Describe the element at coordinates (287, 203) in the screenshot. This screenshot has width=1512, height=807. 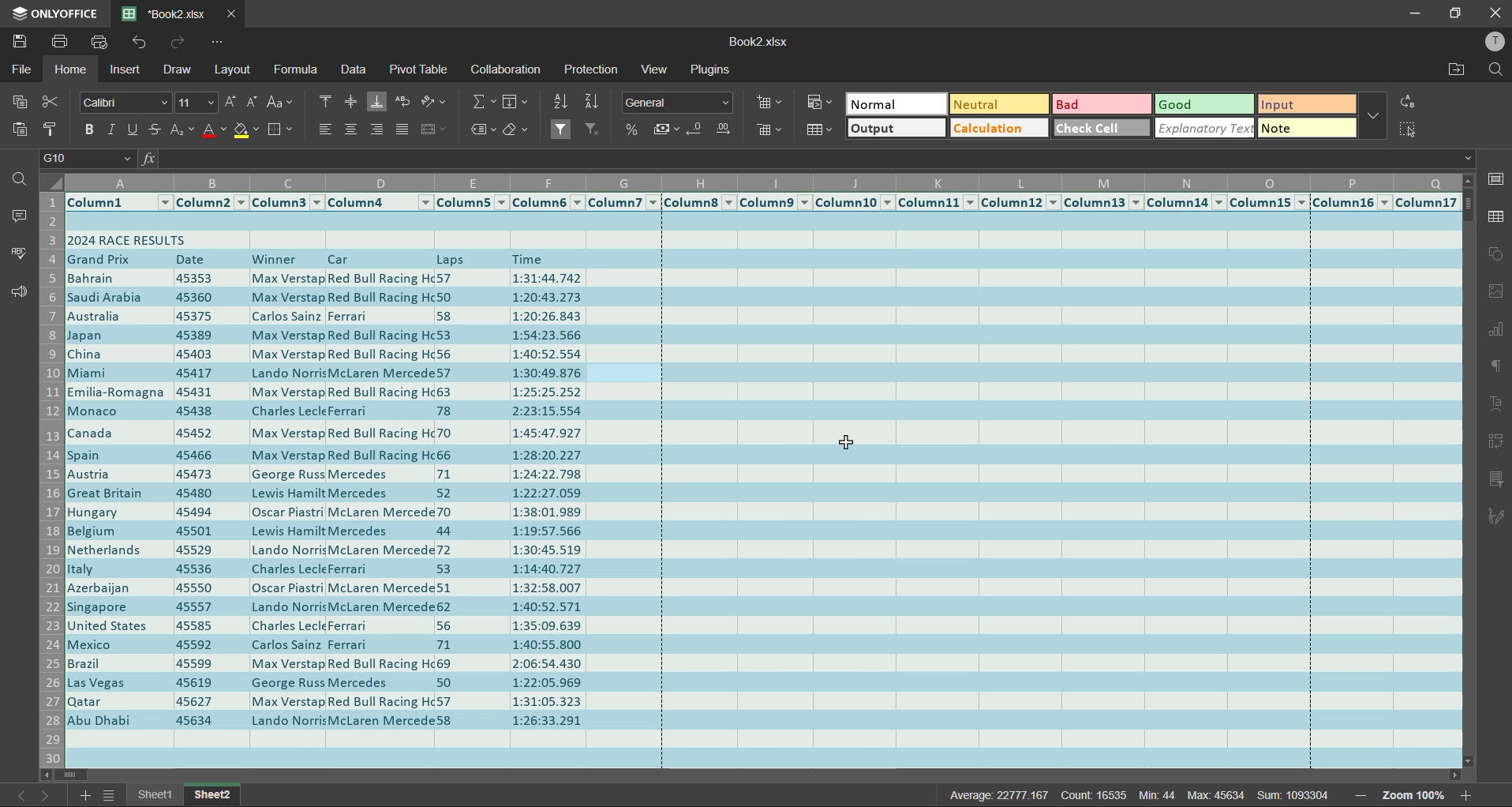
I see `Column ` at that location.